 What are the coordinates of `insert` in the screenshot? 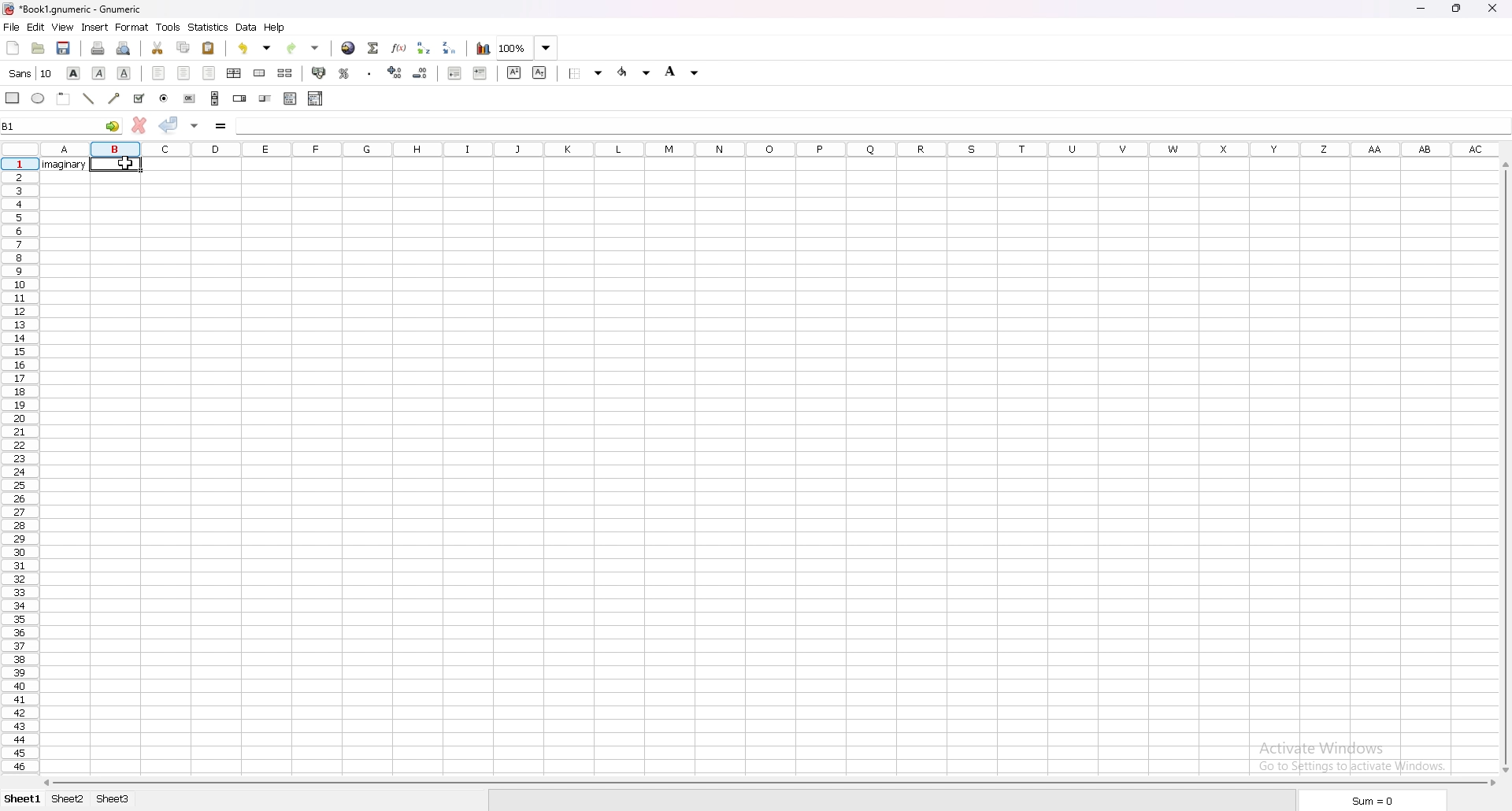 It's located at (95, 28).